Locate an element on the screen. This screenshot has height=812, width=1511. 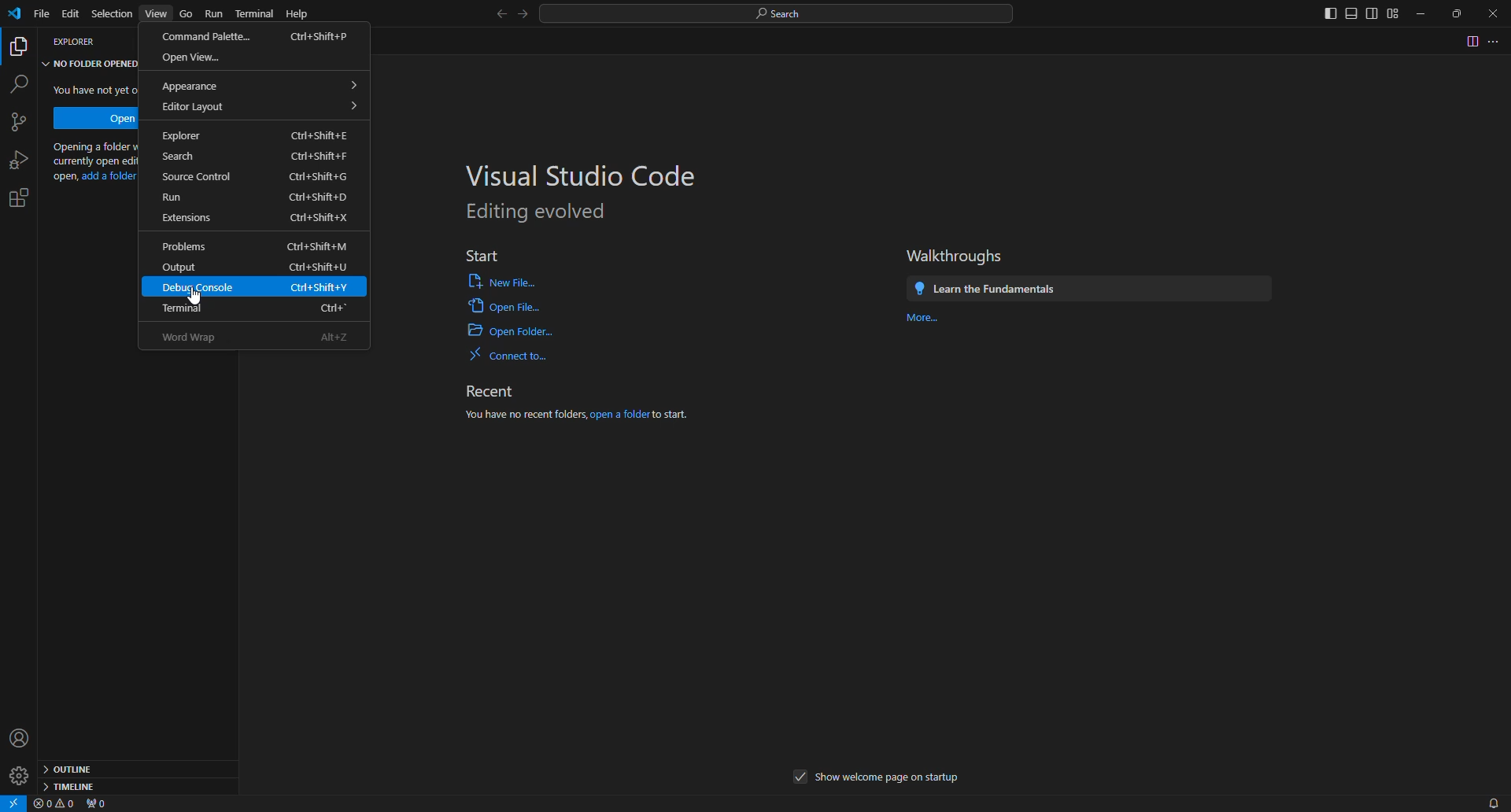
back is located at coordinates (492, 16).